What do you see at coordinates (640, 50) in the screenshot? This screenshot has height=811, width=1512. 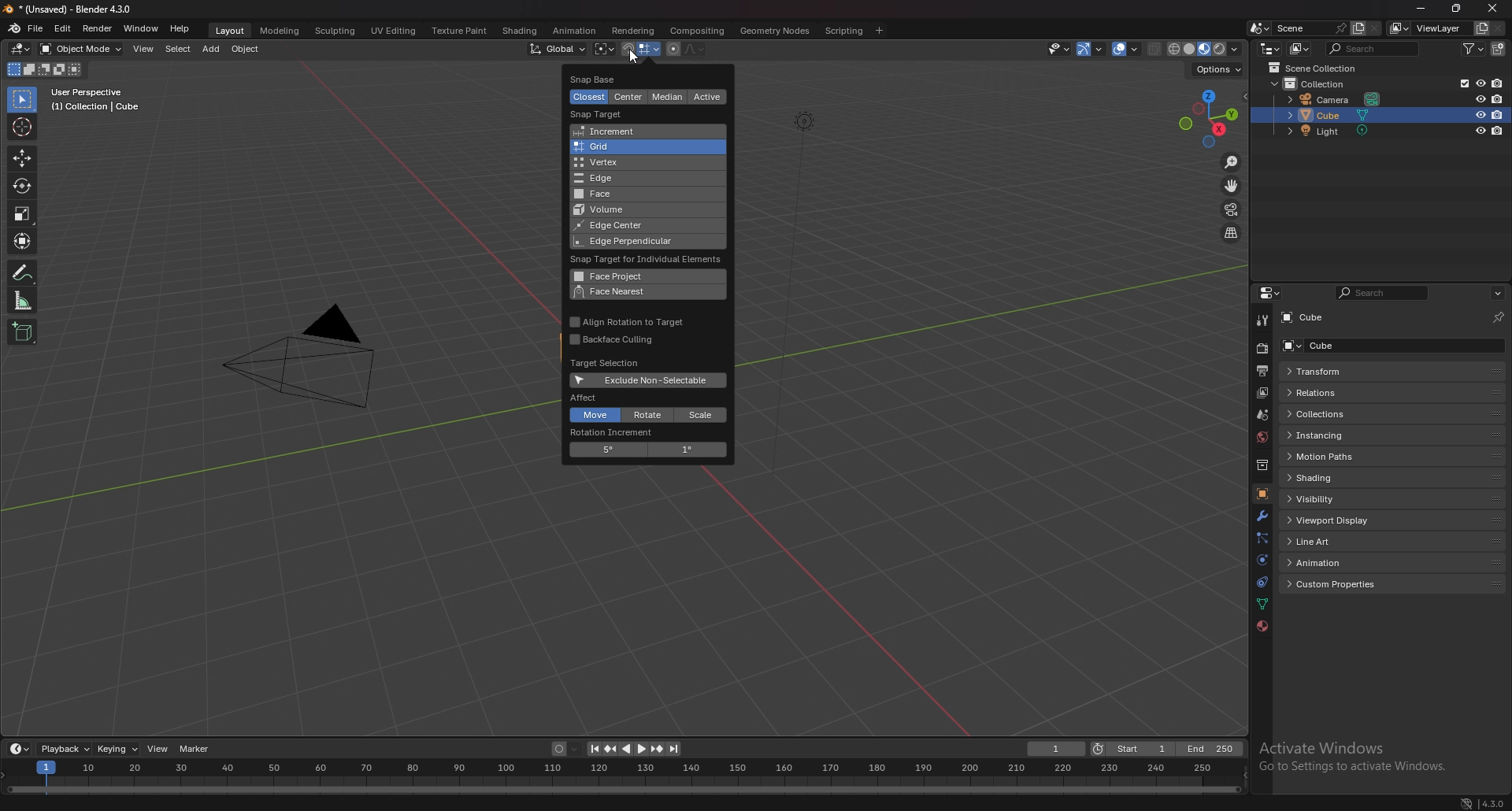 I see `snapping` at bounding box center [640, 50].